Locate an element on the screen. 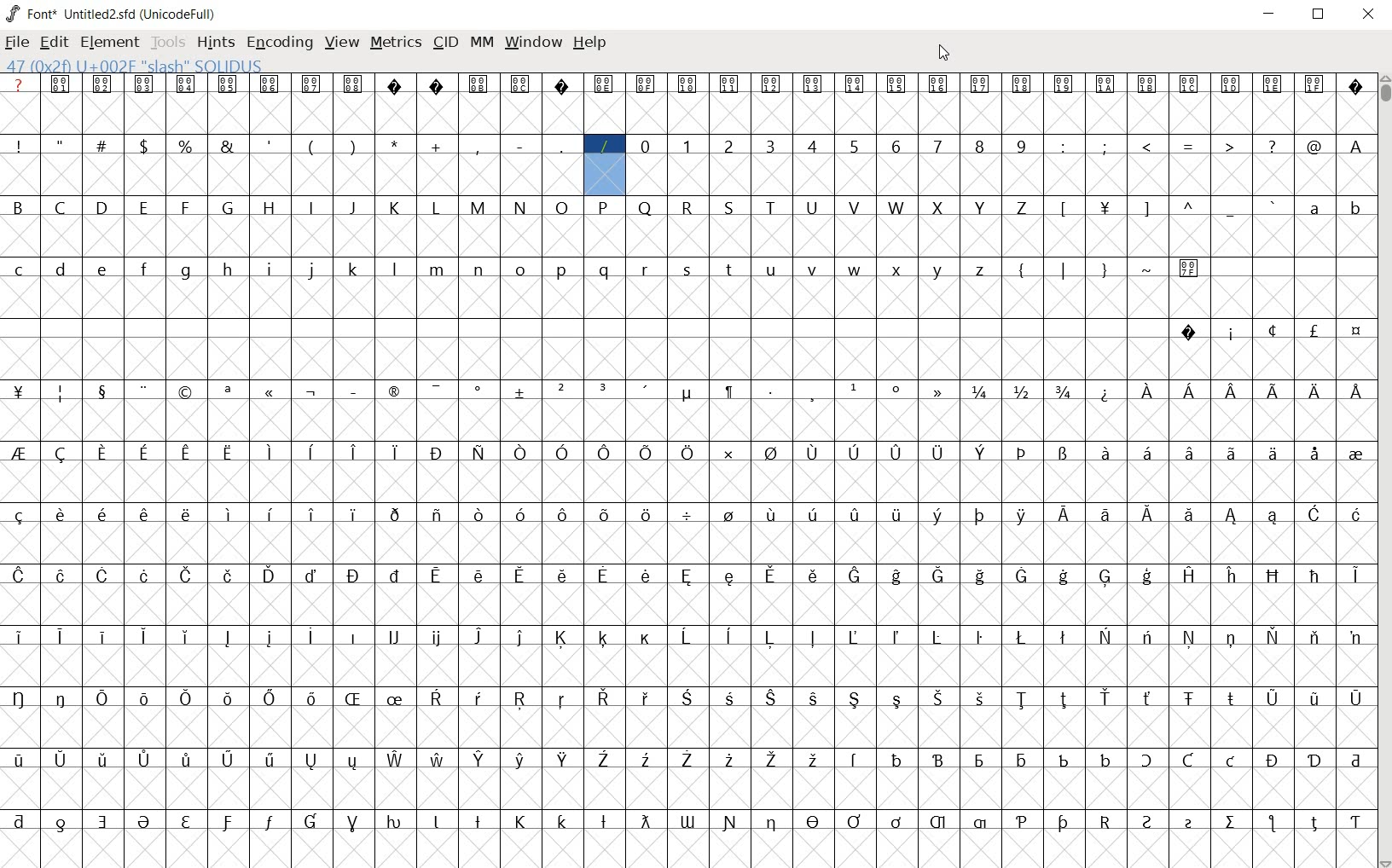  glyph is located at coordinates (143, 207).